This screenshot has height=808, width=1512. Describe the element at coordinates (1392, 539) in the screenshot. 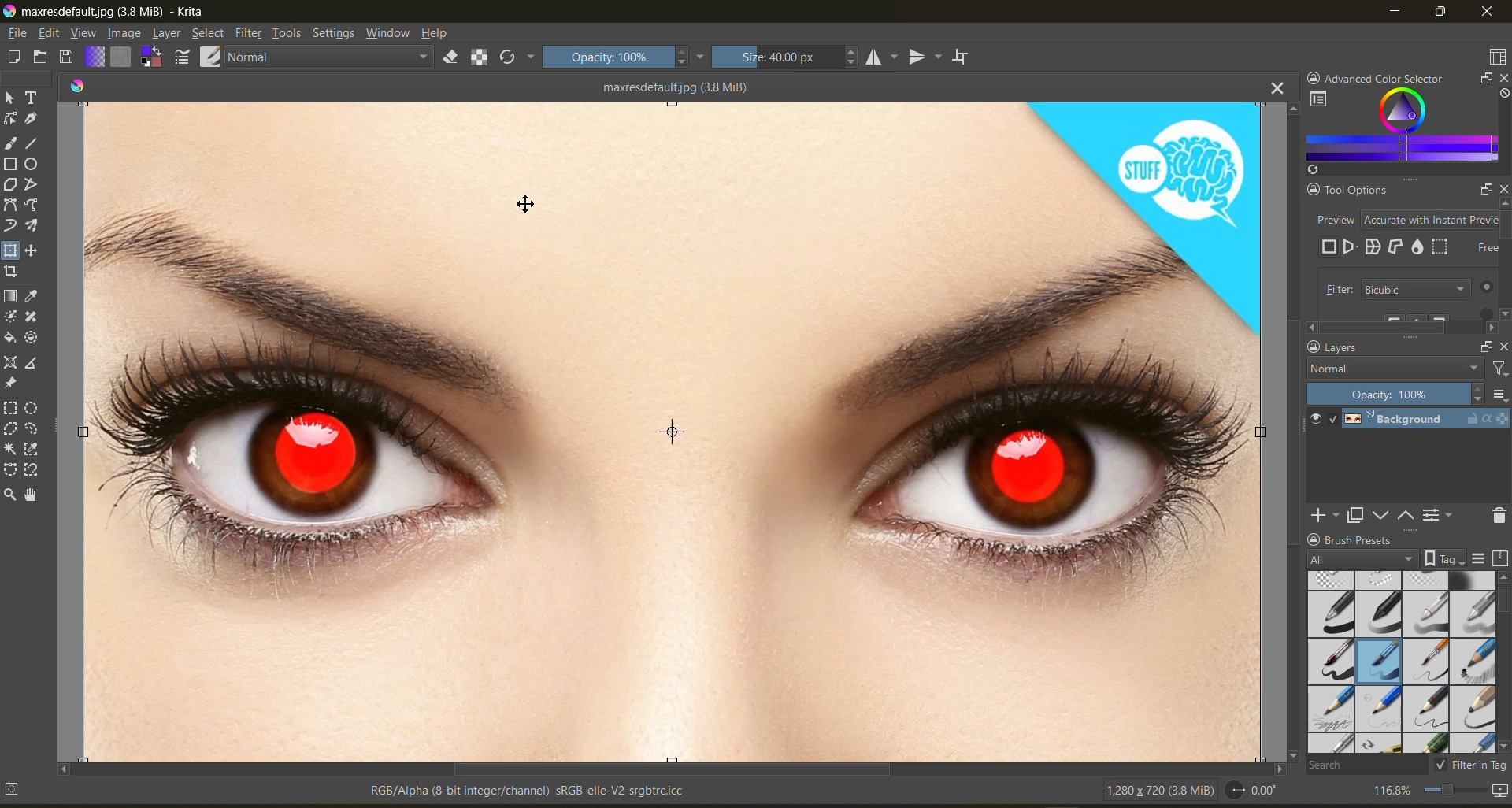

I see `Brush Presets` at that location.